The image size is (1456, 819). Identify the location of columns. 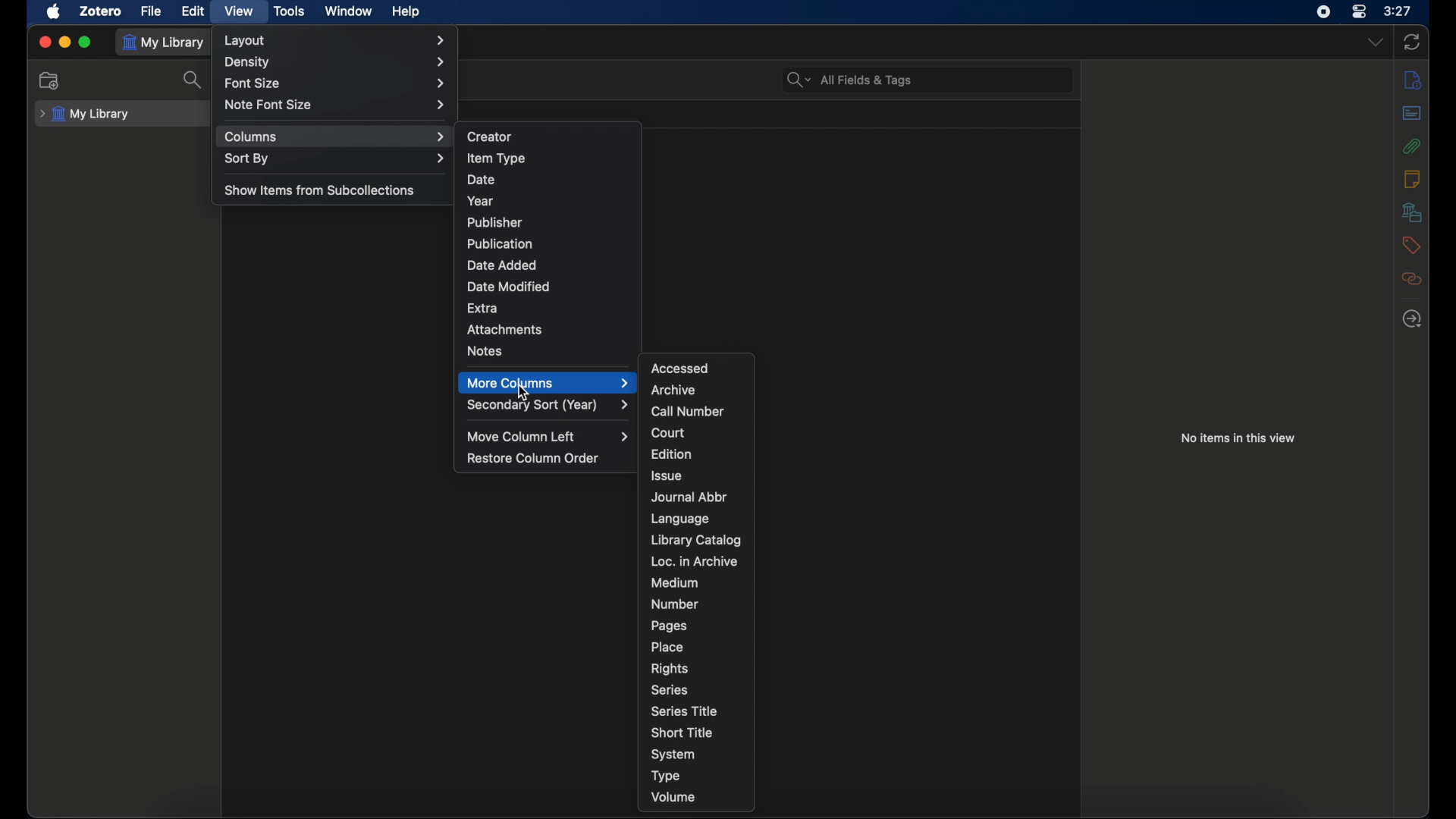
(335, 137).